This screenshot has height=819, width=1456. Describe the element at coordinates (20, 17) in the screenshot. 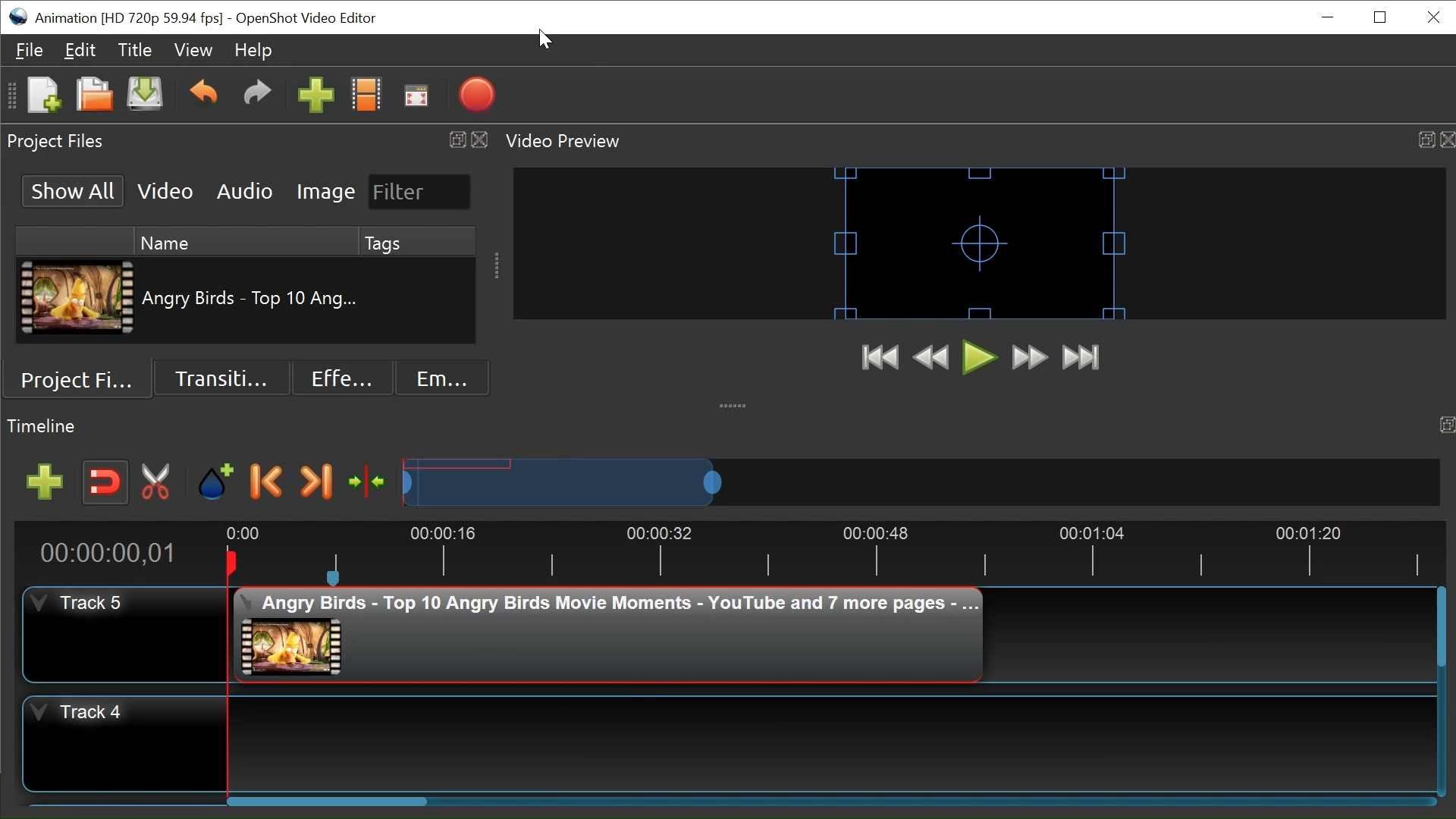

I see `OpenShot Desktop Icon` at that location.